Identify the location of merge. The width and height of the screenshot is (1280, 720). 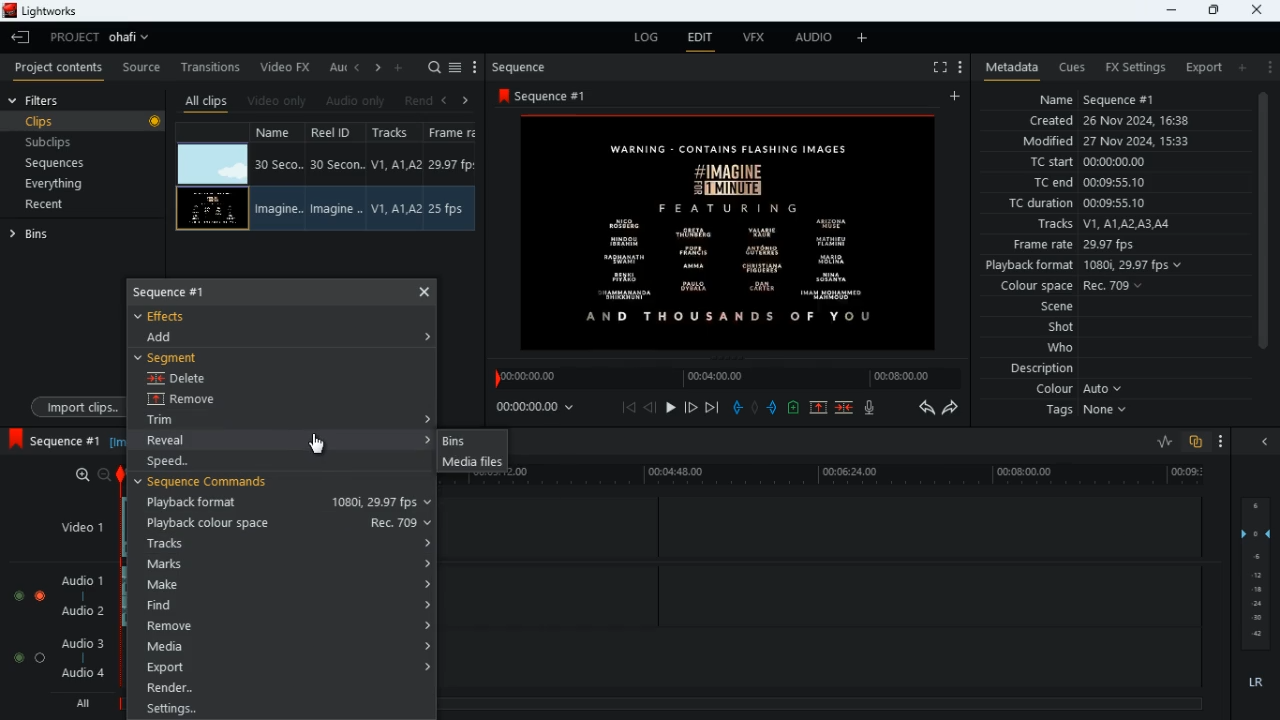
(845, 406).